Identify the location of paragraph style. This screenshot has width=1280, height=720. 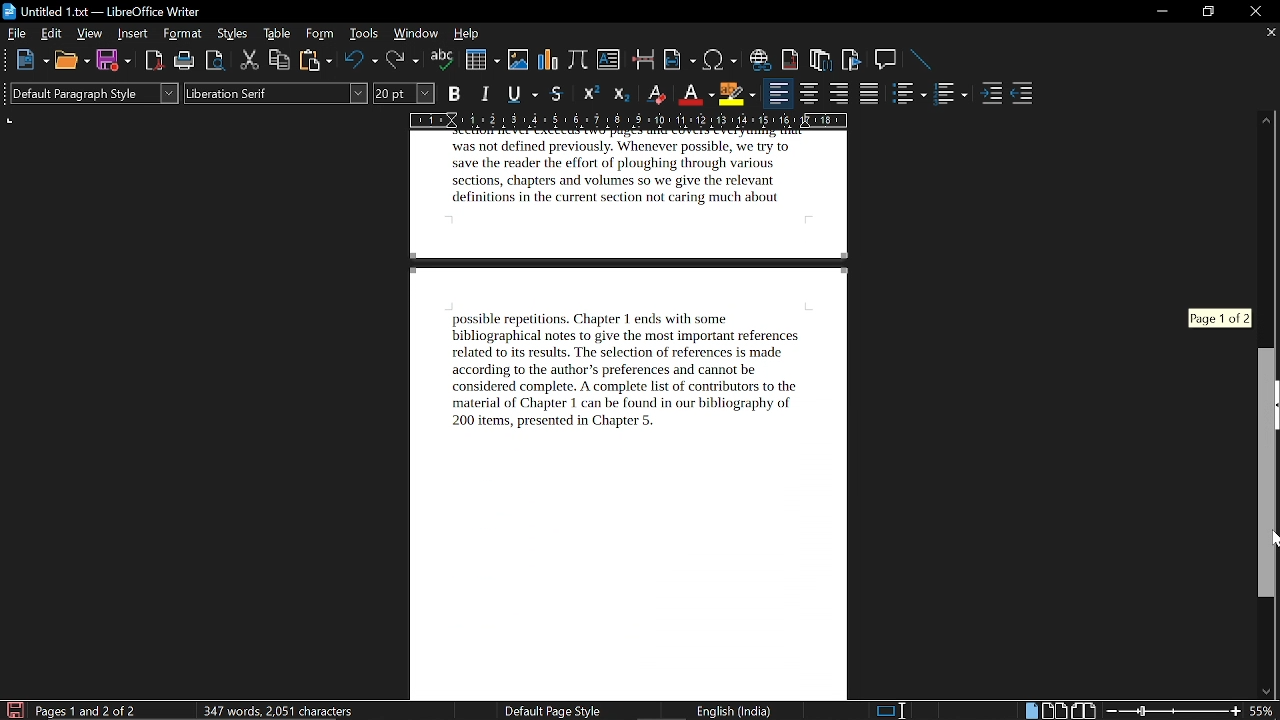
(95, 93).